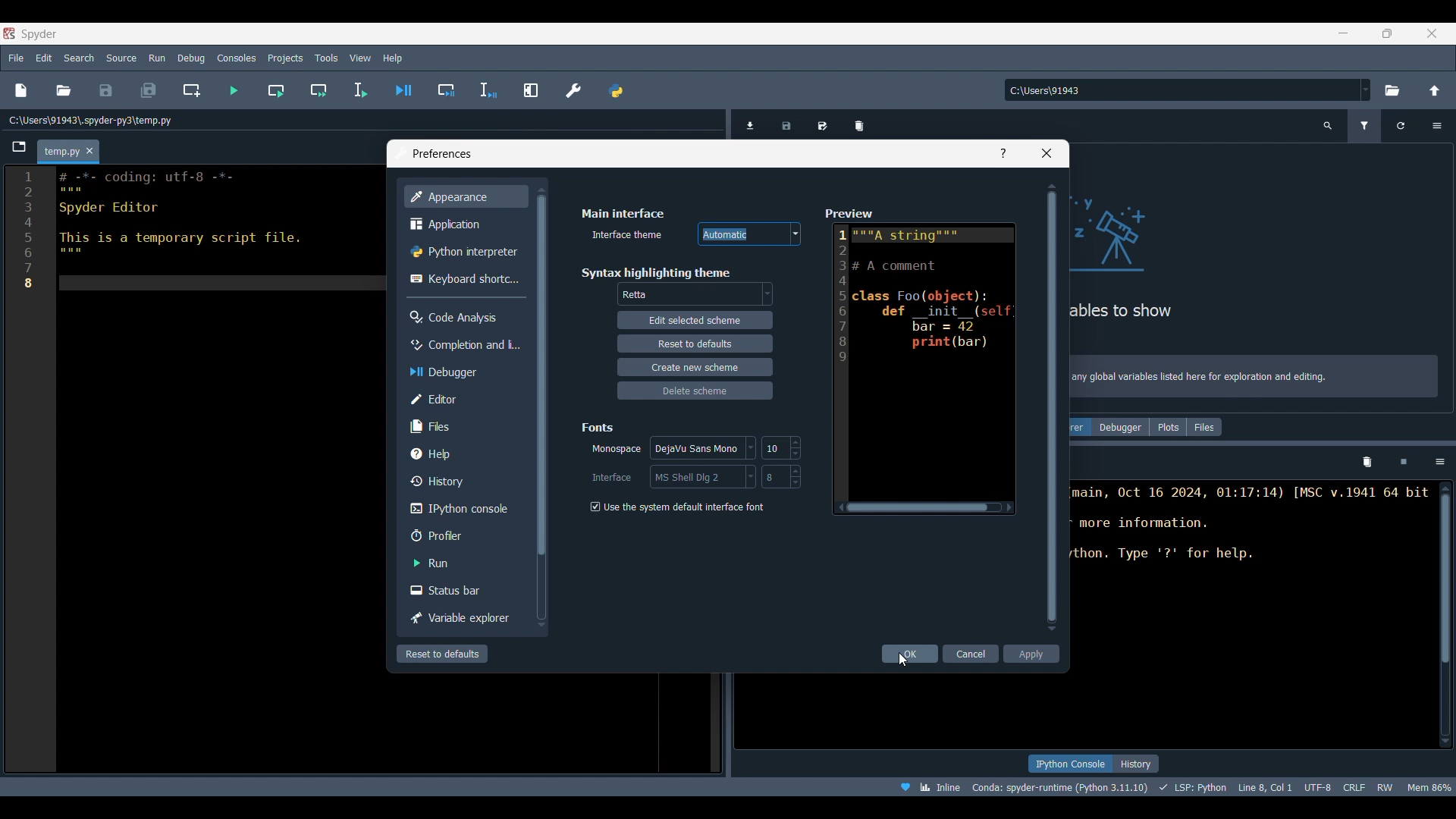 The width and height of the screenshot is (1456, 819). What do you see at coordinates (705, 449) in the screenshot?
I see `monospace font options` at bounding box center [705, 449].